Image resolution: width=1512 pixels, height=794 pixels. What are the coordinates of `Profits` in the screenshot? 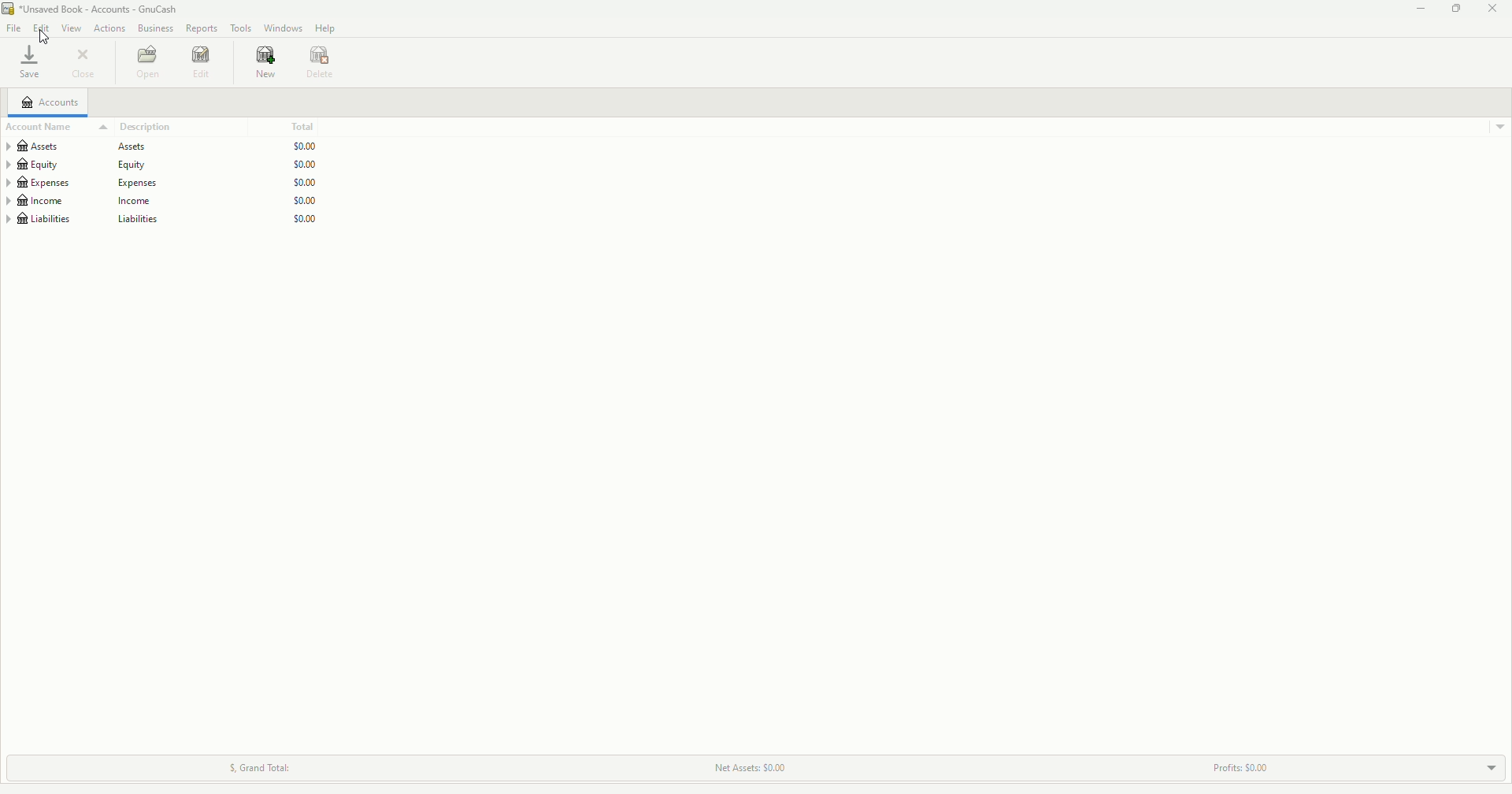 It's located at (1253, 763).